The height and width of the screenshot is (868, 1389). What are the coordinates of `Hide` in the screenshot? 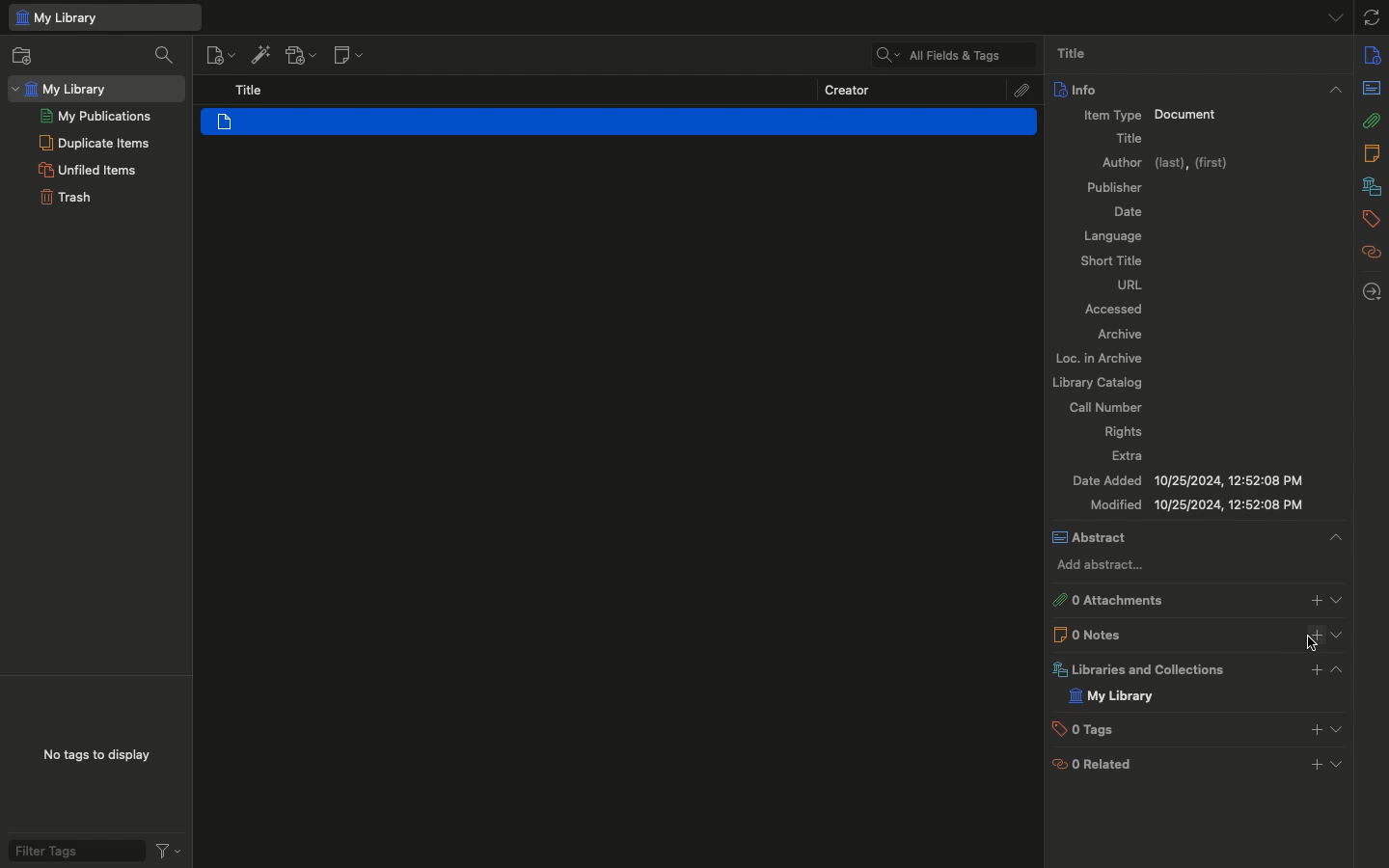 It's located at (1334, 669).